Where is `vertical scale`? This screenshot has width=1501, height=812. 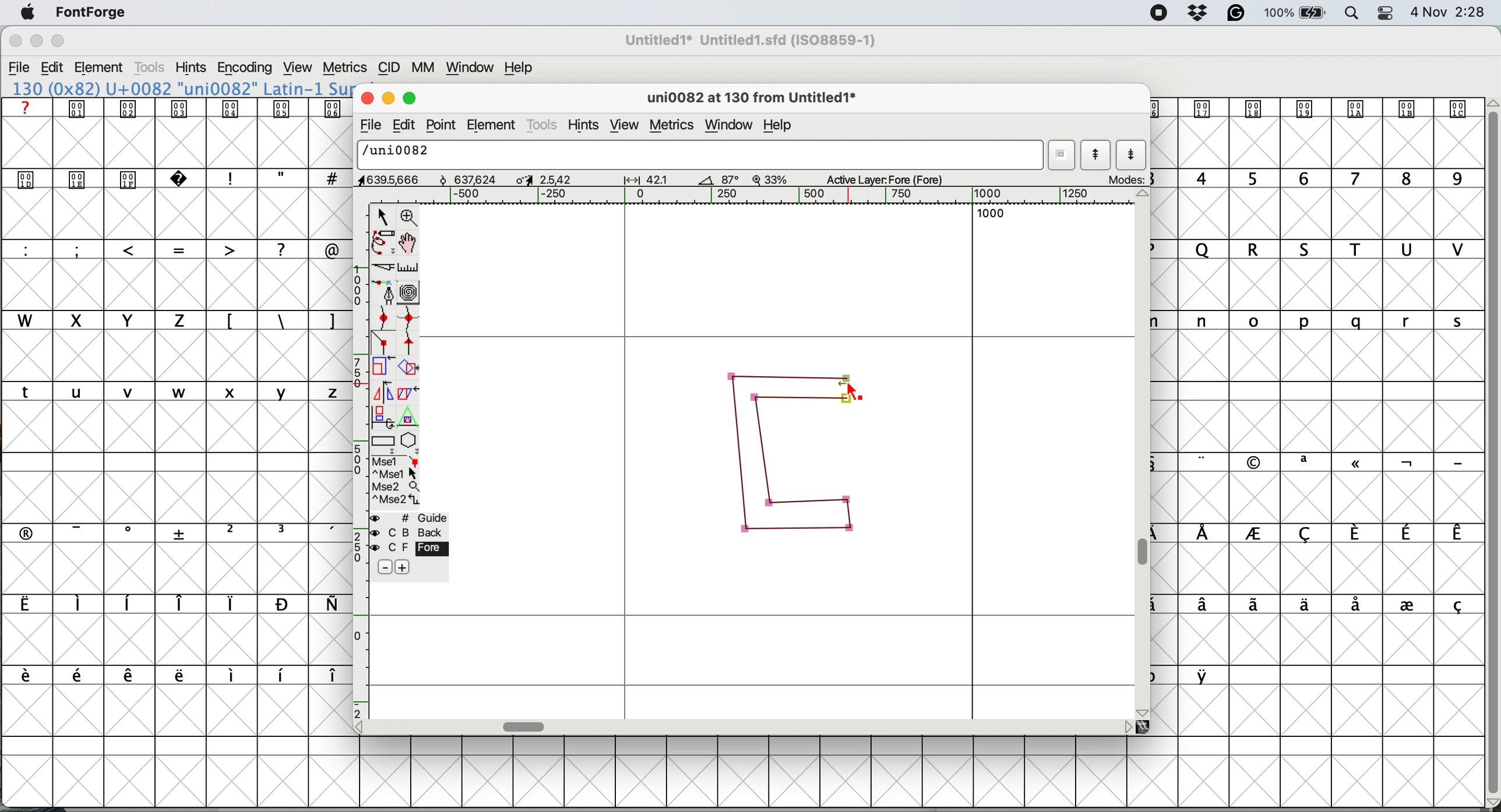
vertical scale is located at coordinates (362, 460).